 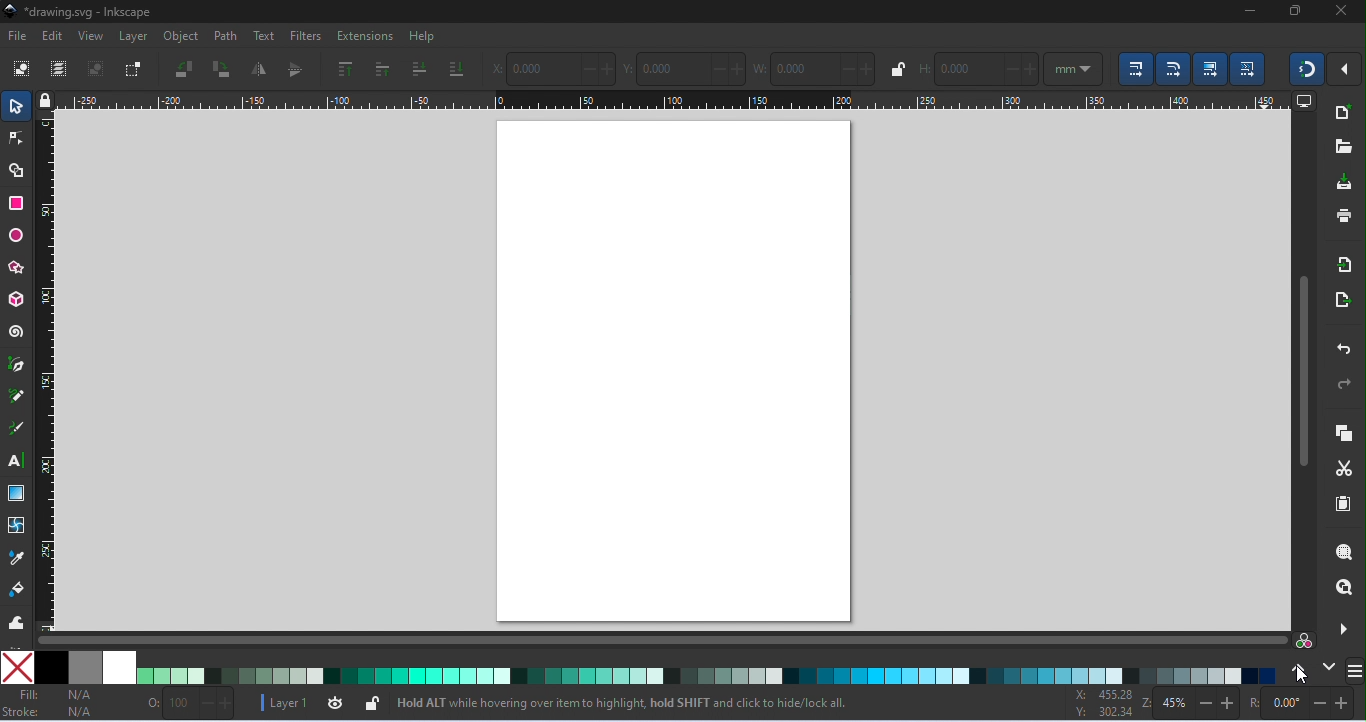 What do you see at coordinates (221, 70) in the screenshot?
I see `rotate object 90 degree clockwise` at bounding box center [221, 70].